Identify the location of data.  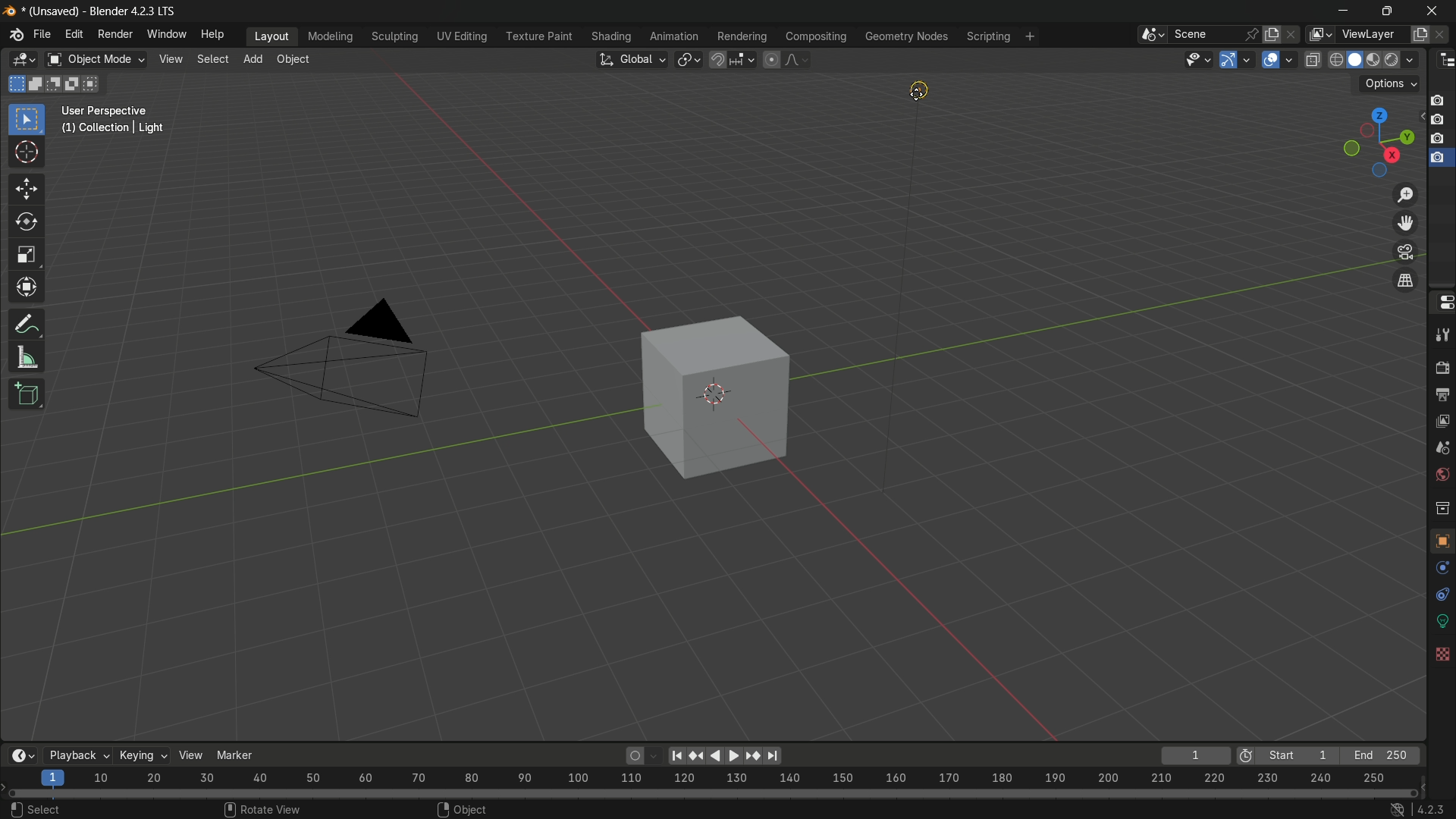
(1441, 673).